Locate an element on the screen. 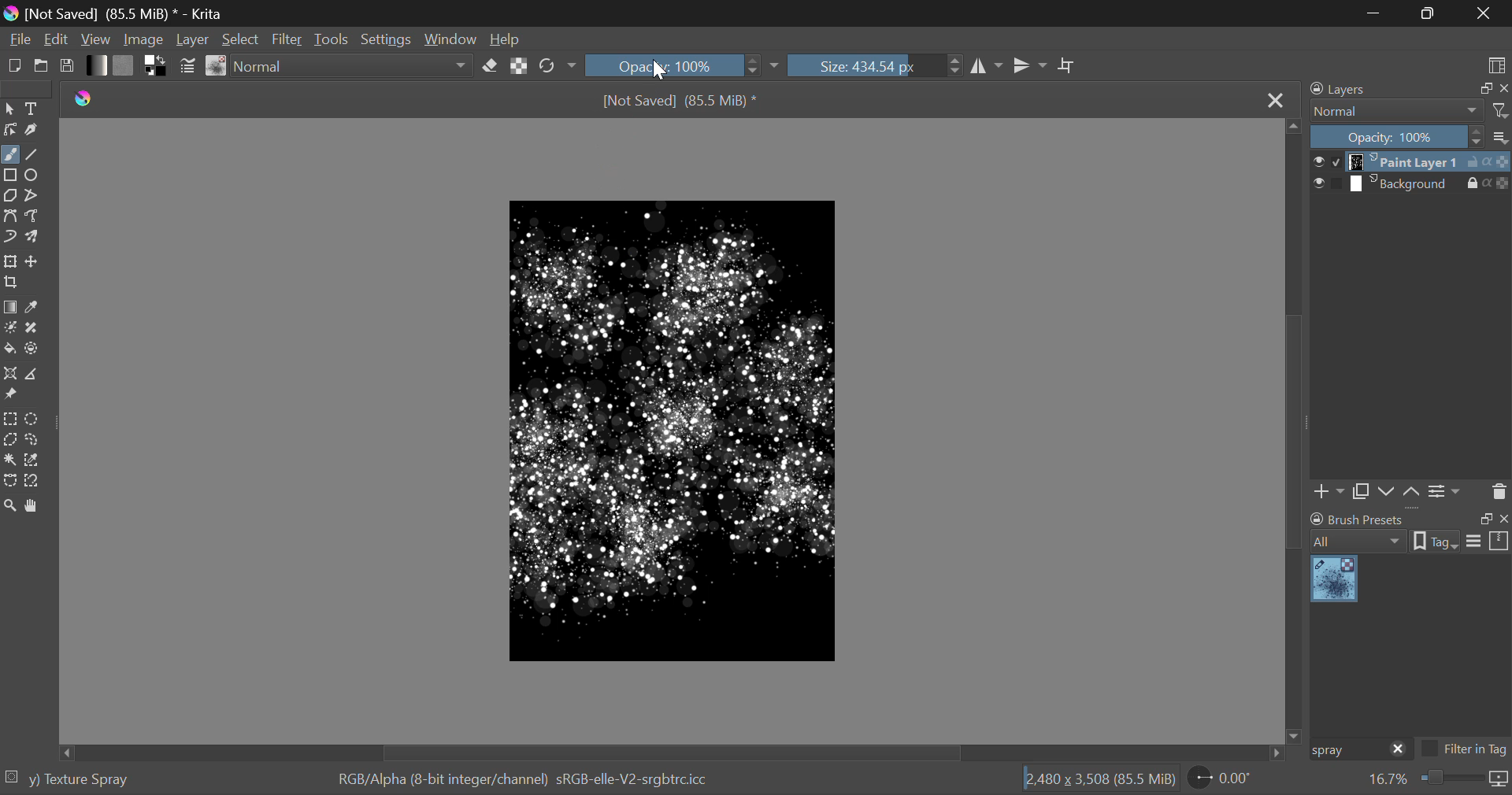 The height and width of the screenshot is (795, 1512). Tools is located at coordinates (334, 39).